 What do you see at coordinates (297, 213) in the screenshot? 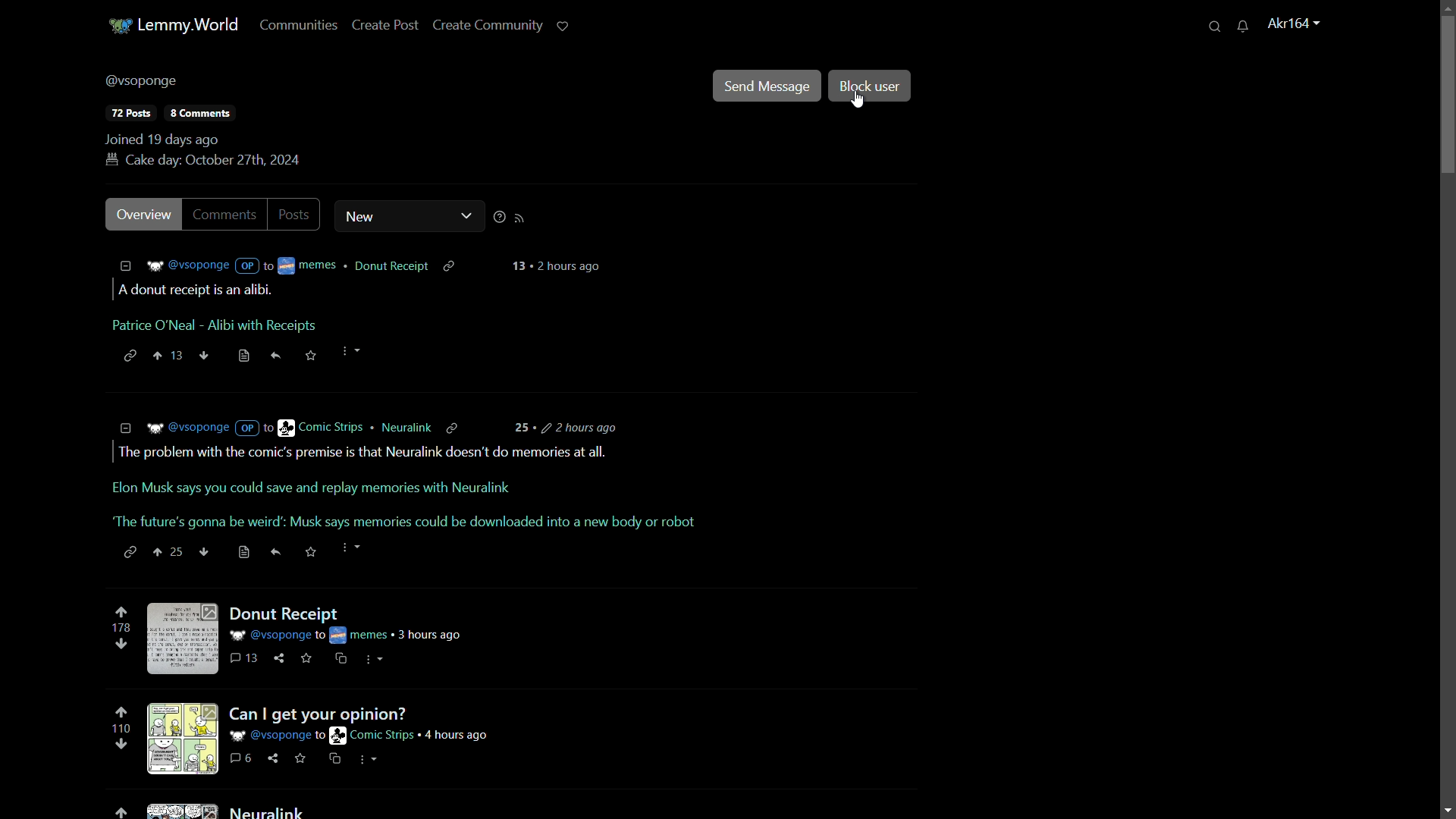
I see `posts` at bounding box center [297, 213].